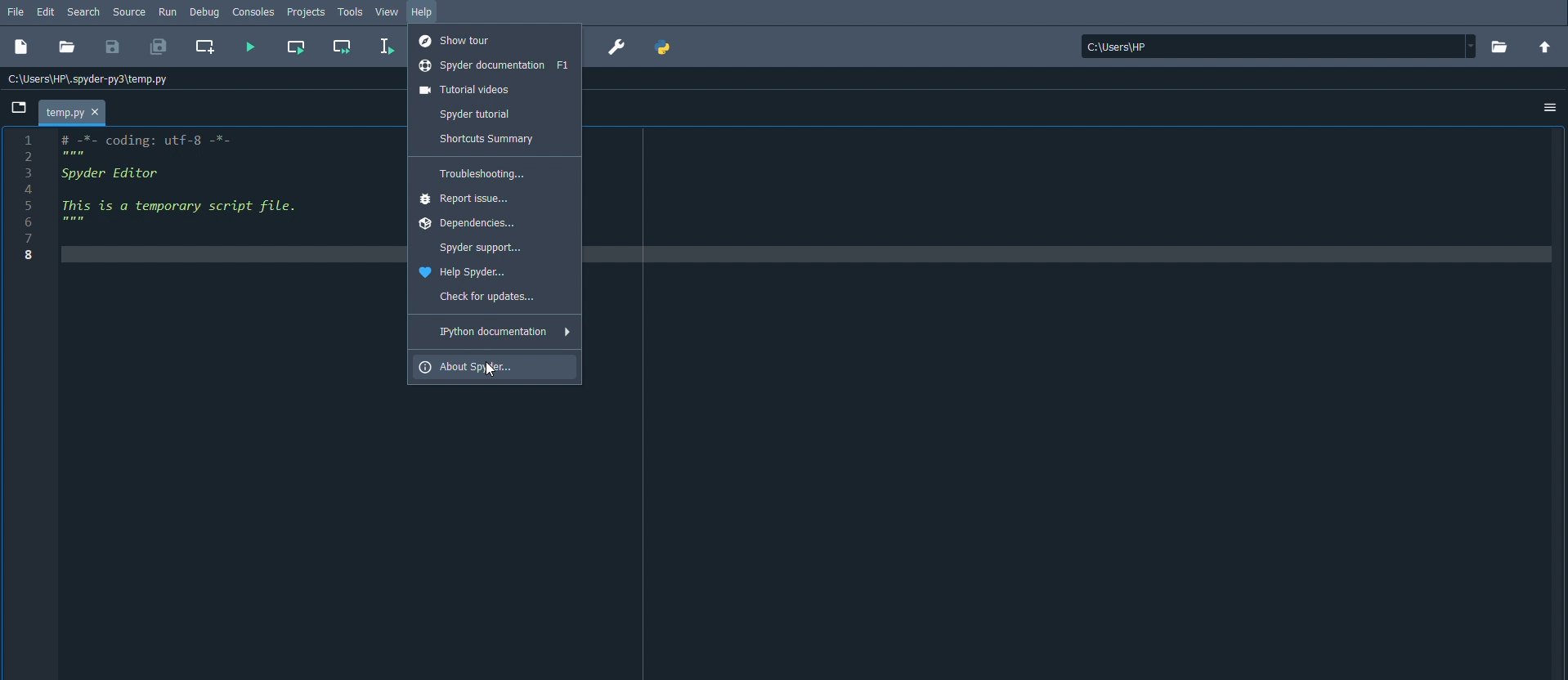 The image size is (1568, 680). What do you see at coordinates (477, 172) in the screenshot?
I see `Troubleshooting` at bounding box center [477, 172].